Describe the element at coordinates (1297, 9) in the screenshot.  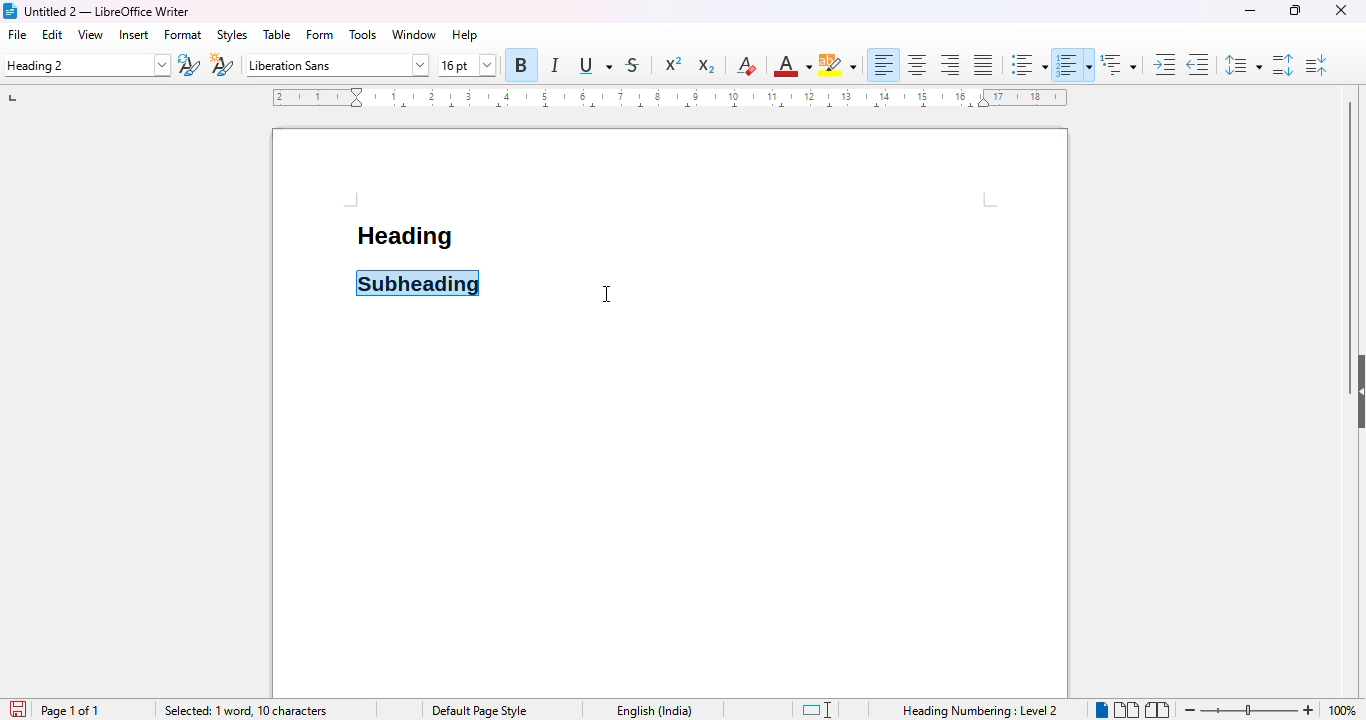
I see `maximize` at that location.